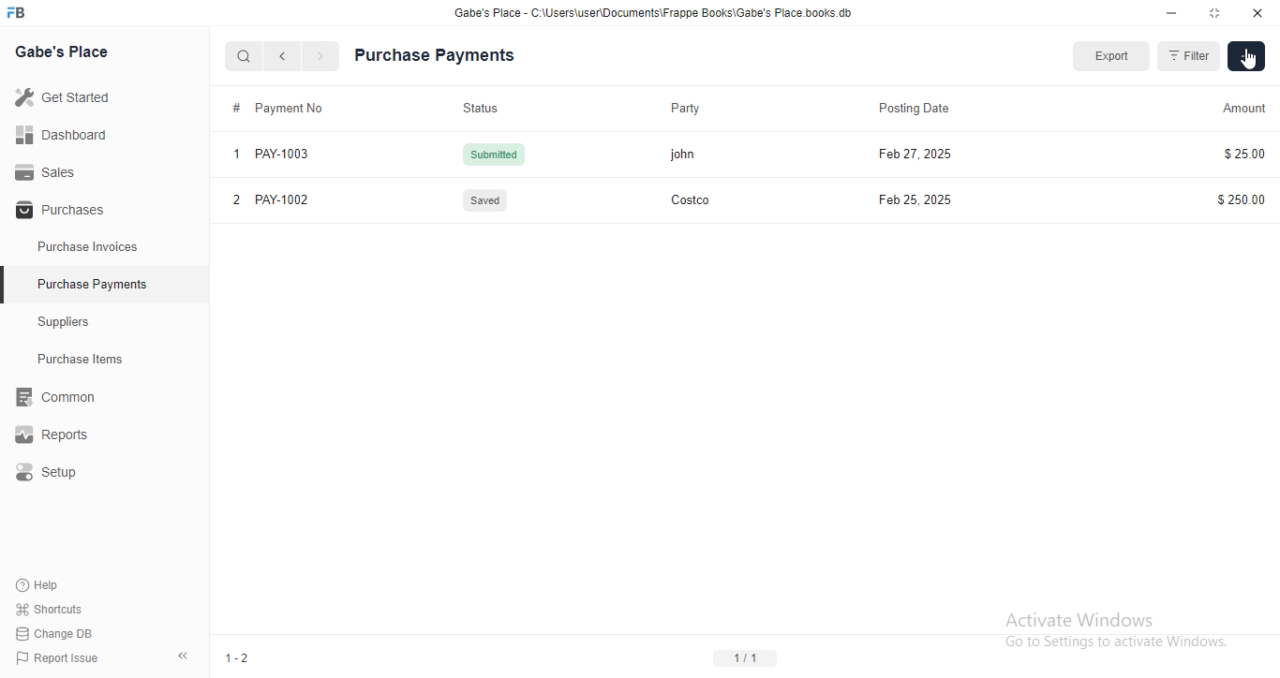 This screenshot has height=678, width=1280. Describe the element at coordinates (287, 109) in the screenshot. I see `Invoice No` at that location.